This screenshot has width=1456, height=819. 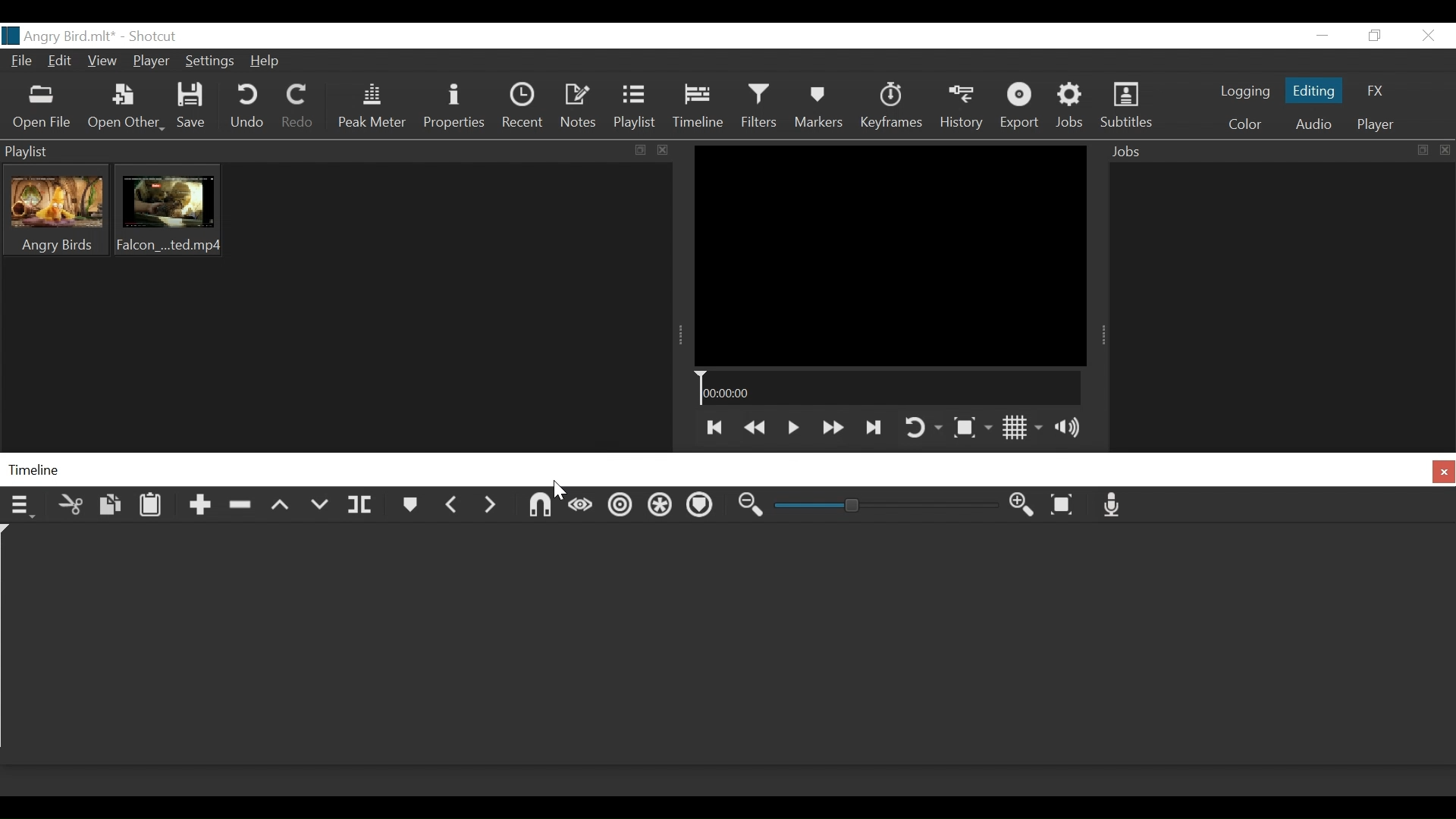 I want to click on Record audio, so click(x=1116, y=507).